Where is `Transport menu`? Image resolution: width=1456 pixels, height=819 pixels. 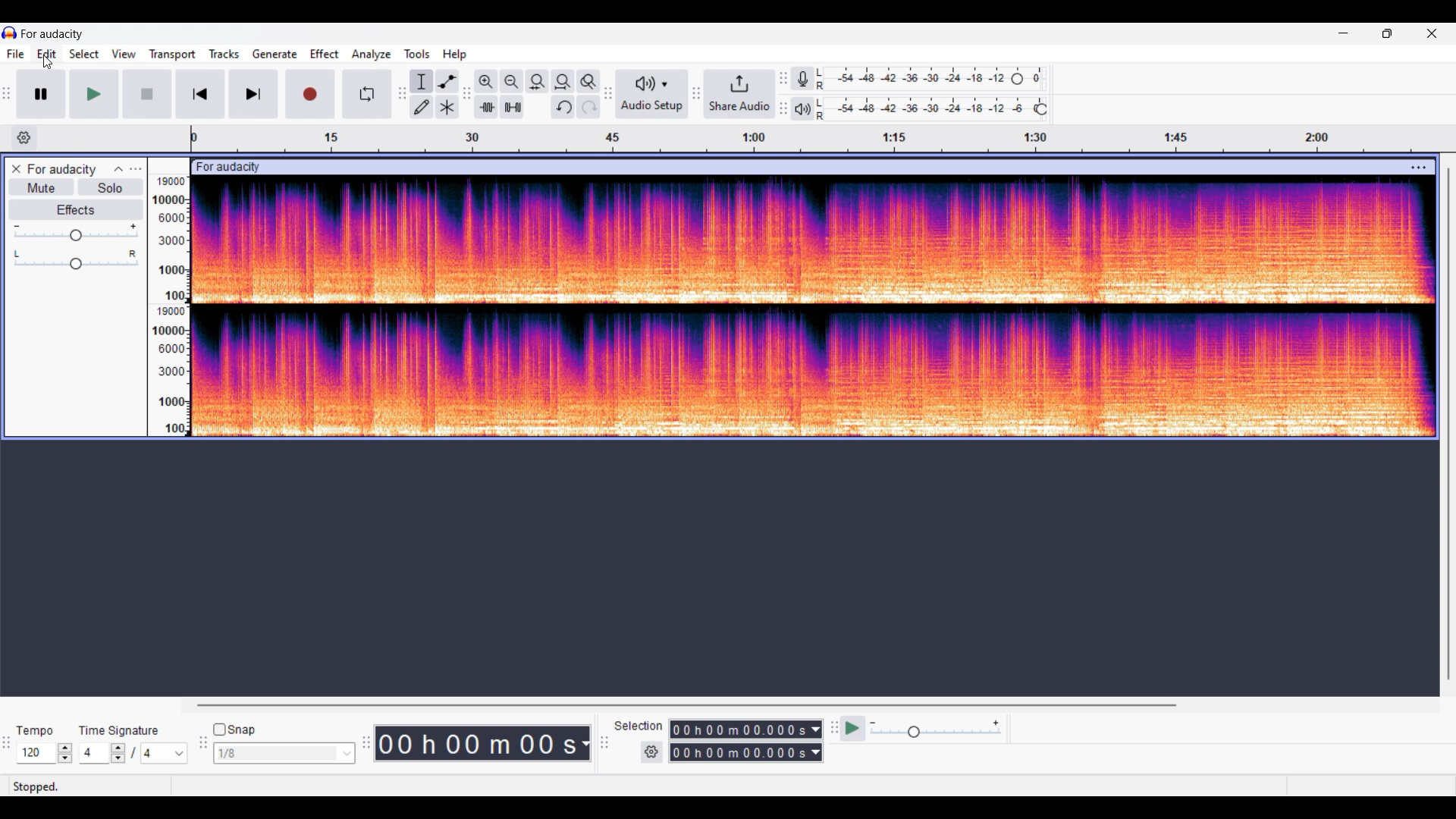
Transport menu is located at coordinates (173, 55).